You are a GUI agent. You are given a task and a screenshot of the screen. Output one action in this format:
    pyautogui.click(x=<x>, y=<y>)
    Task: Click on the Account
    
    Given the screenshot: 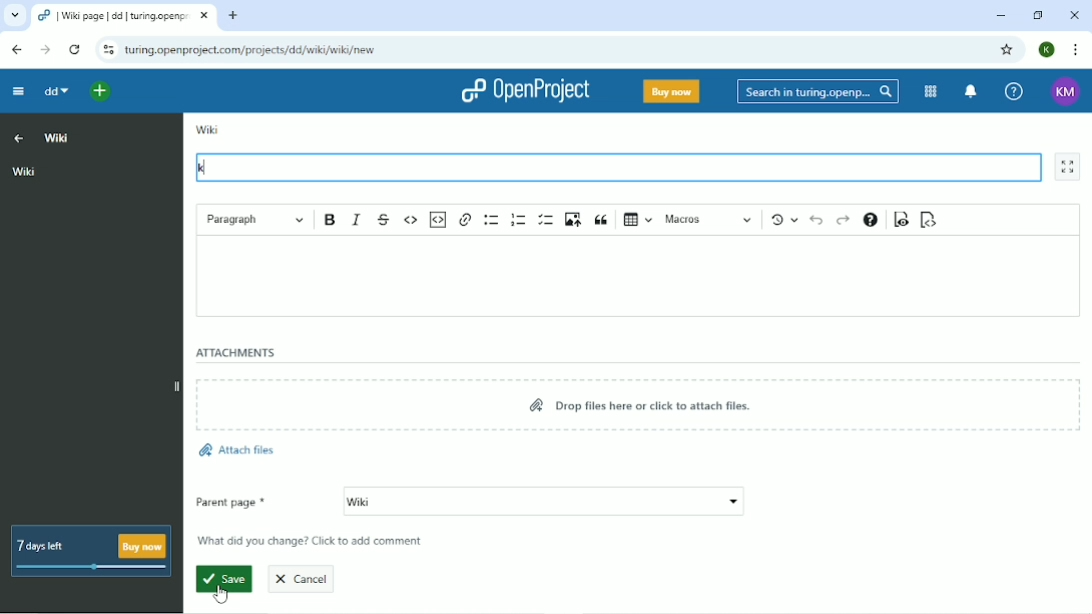 What is the action you would take?
    pyautogui.click(x=1067, y=90)
    